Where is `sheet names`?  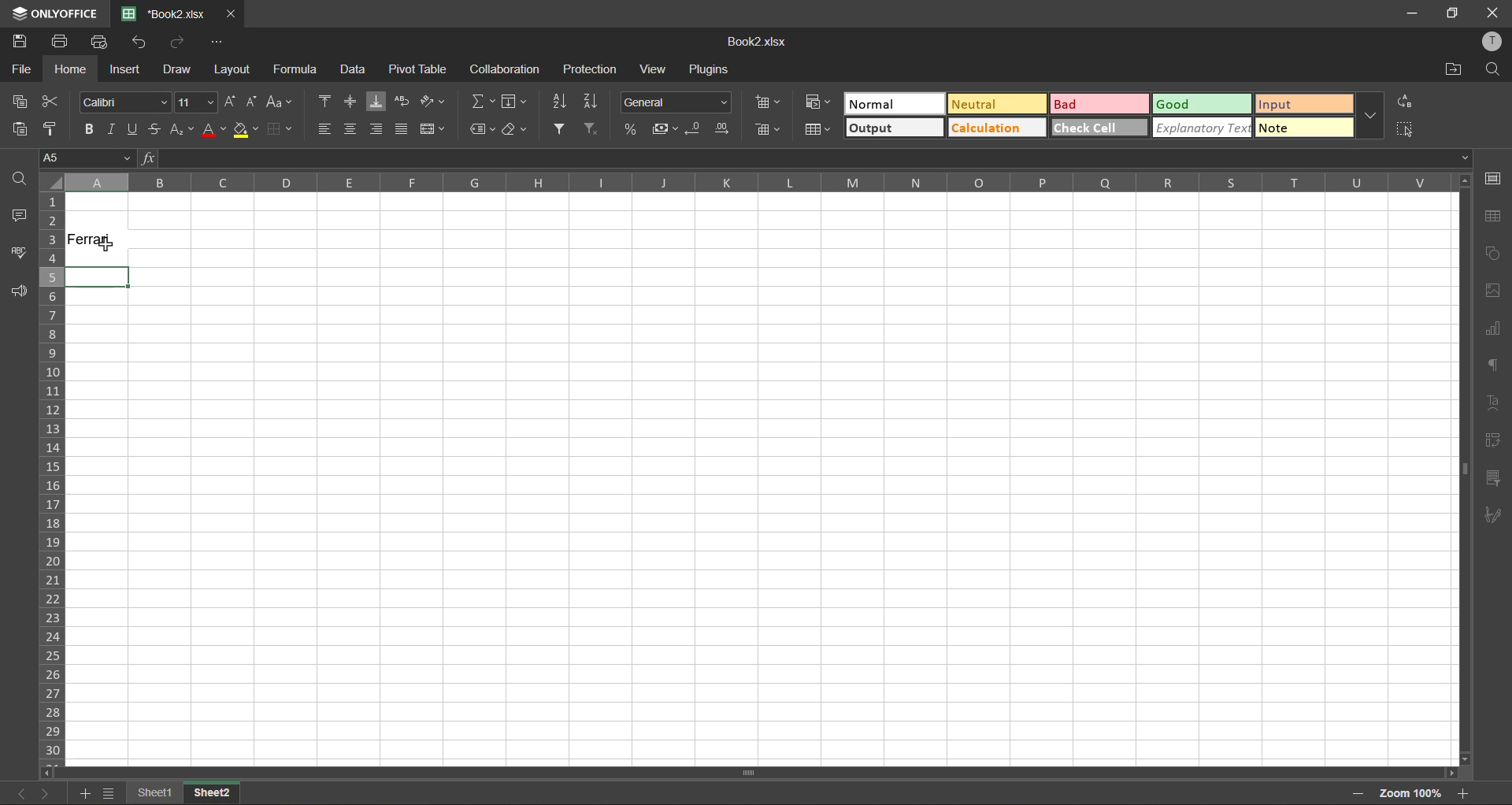
sheet names is located at coordinates (153, 793).